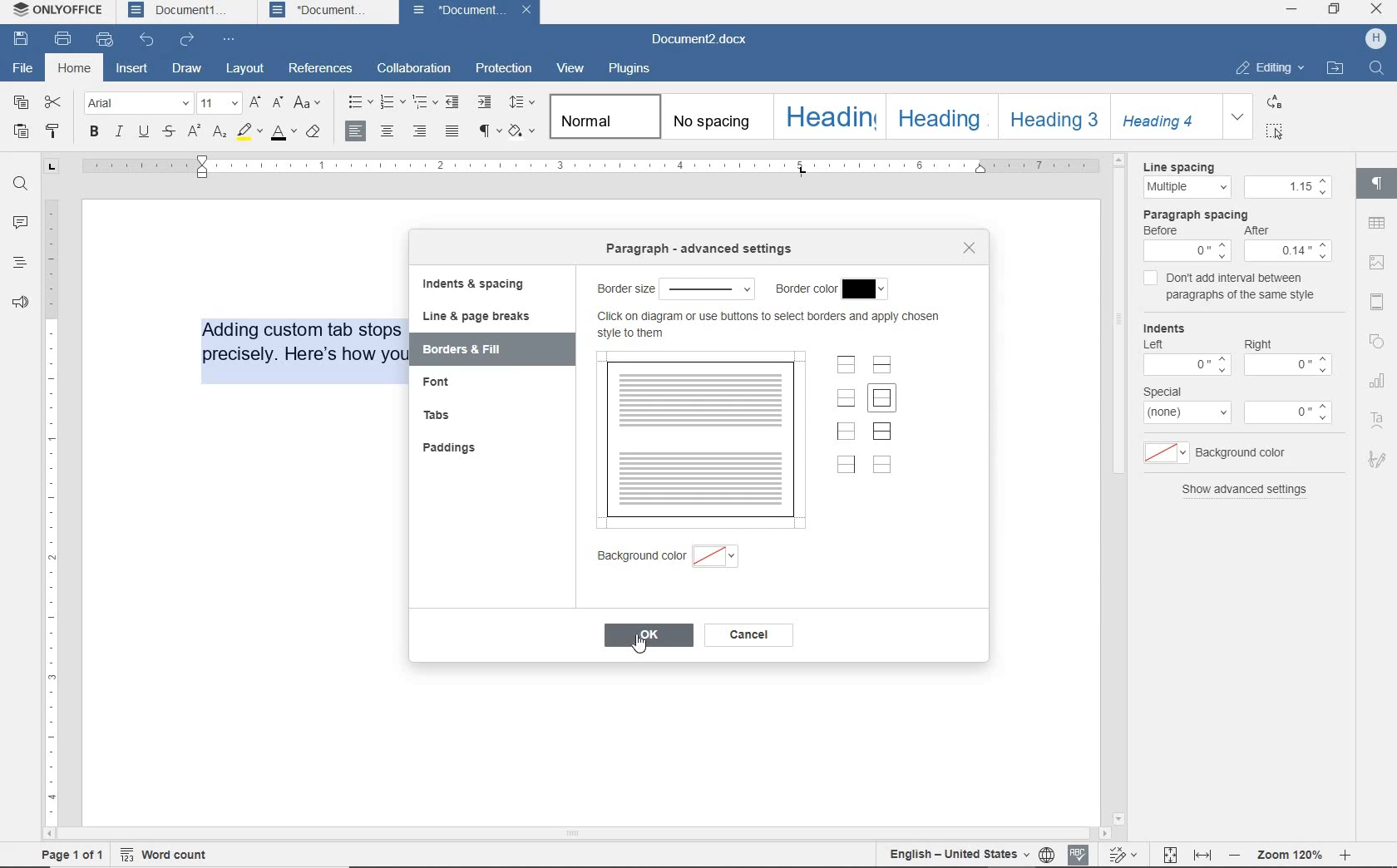 Image resolution: width=1397 pixels, height=868 pixels. I want to click on tabs, so click(437, 415).